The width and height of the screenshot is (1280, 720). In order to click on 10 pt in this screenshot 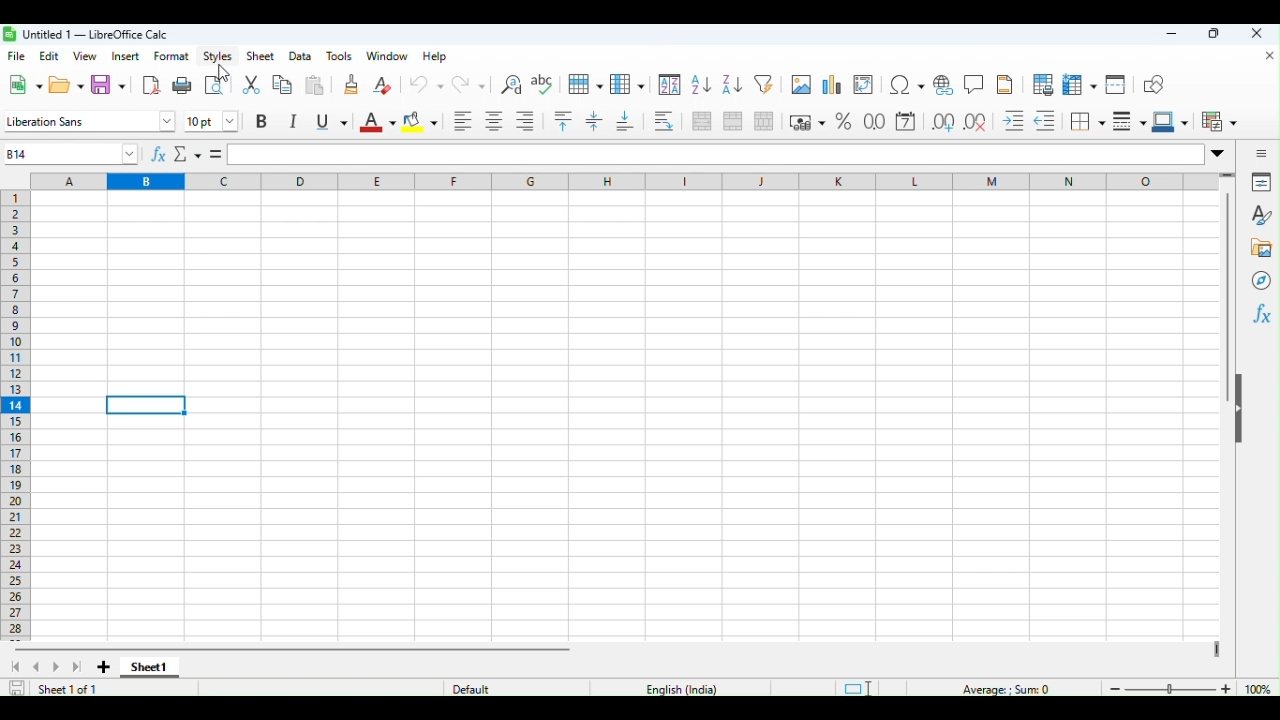, I will do `click(211, 122)`.